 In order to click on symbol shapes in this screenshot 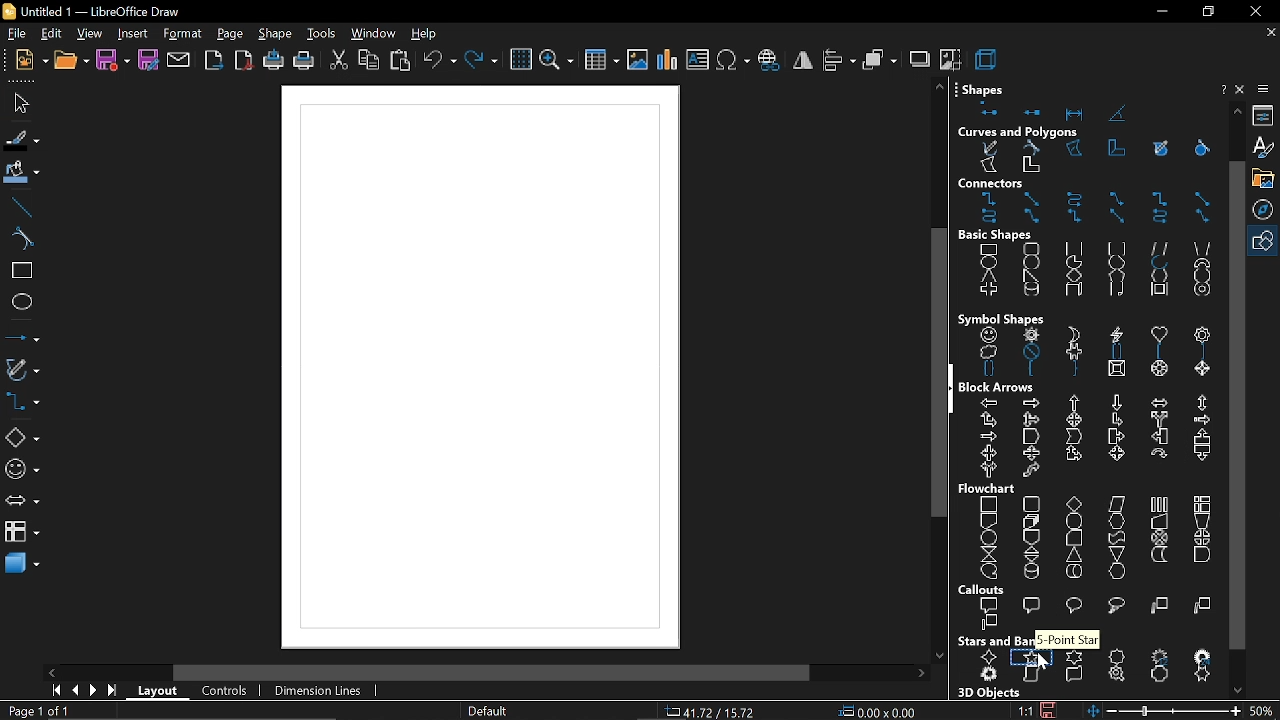, I will do `click(23, 472)`.